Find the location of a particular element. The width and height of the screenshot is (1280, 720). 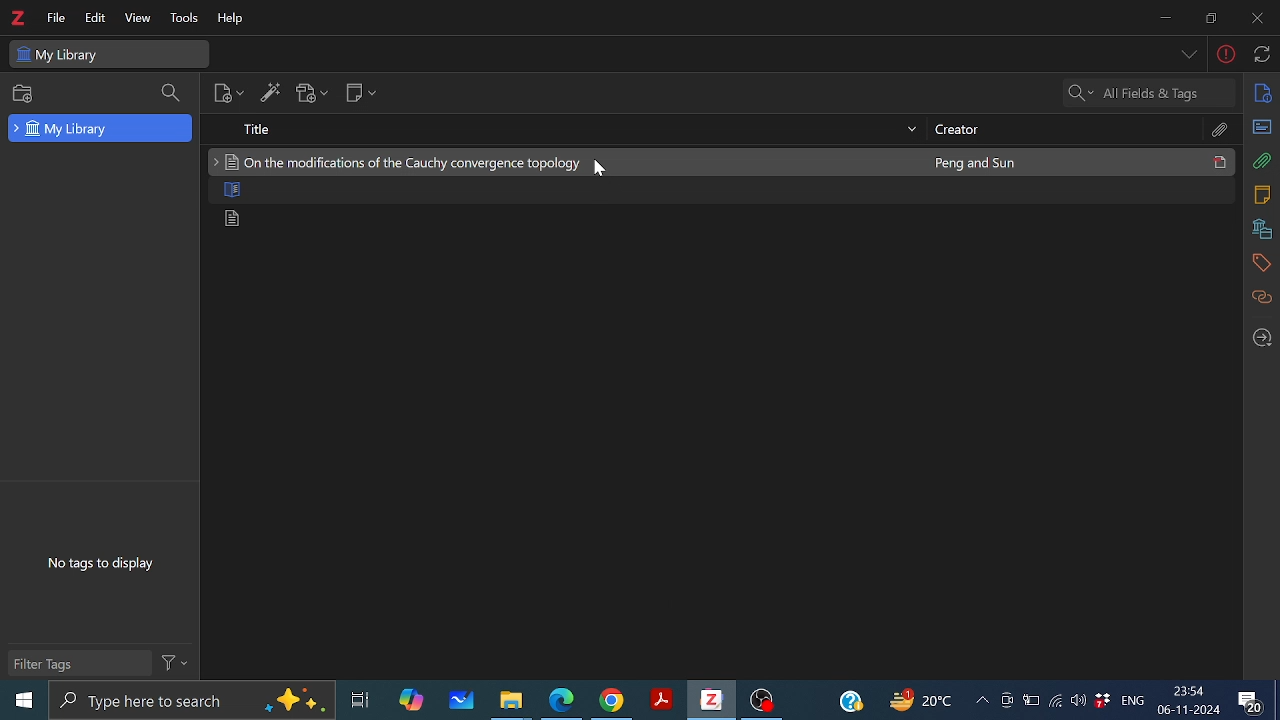

Filter options is located at coordinates (175, 664).